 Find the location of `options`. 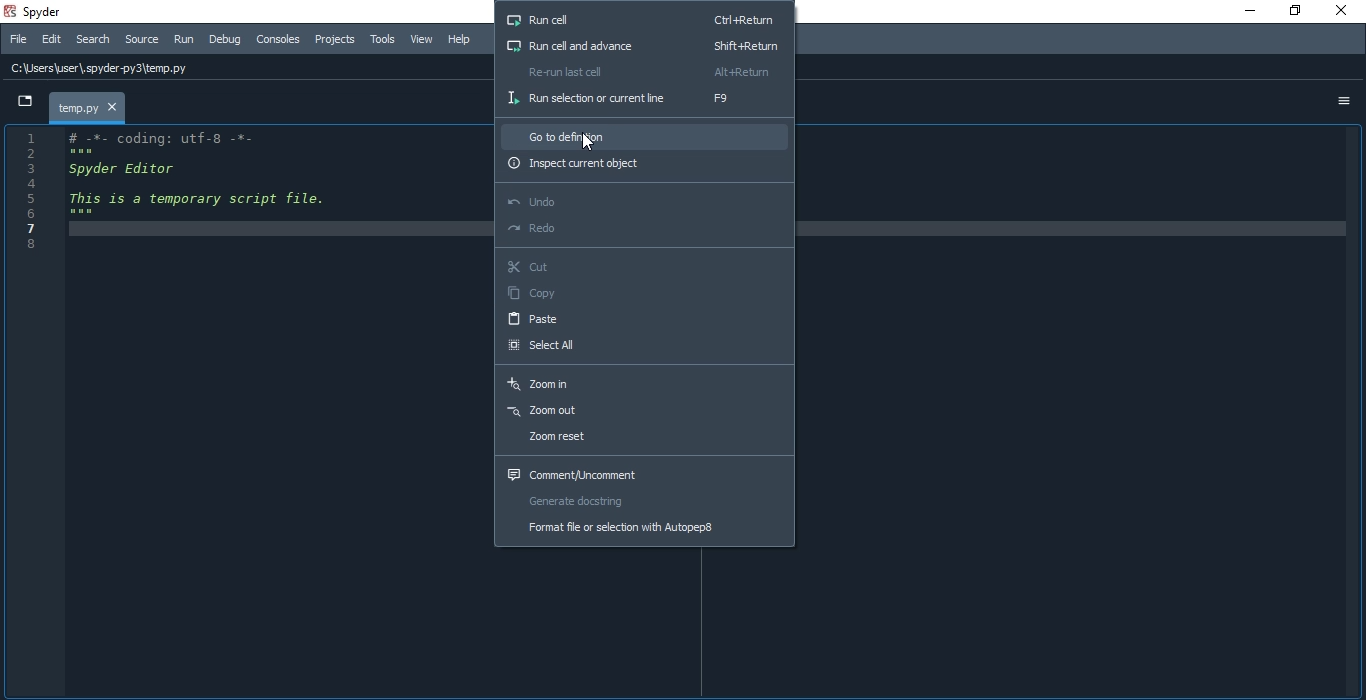

options is located at coordinates (1344, 100).